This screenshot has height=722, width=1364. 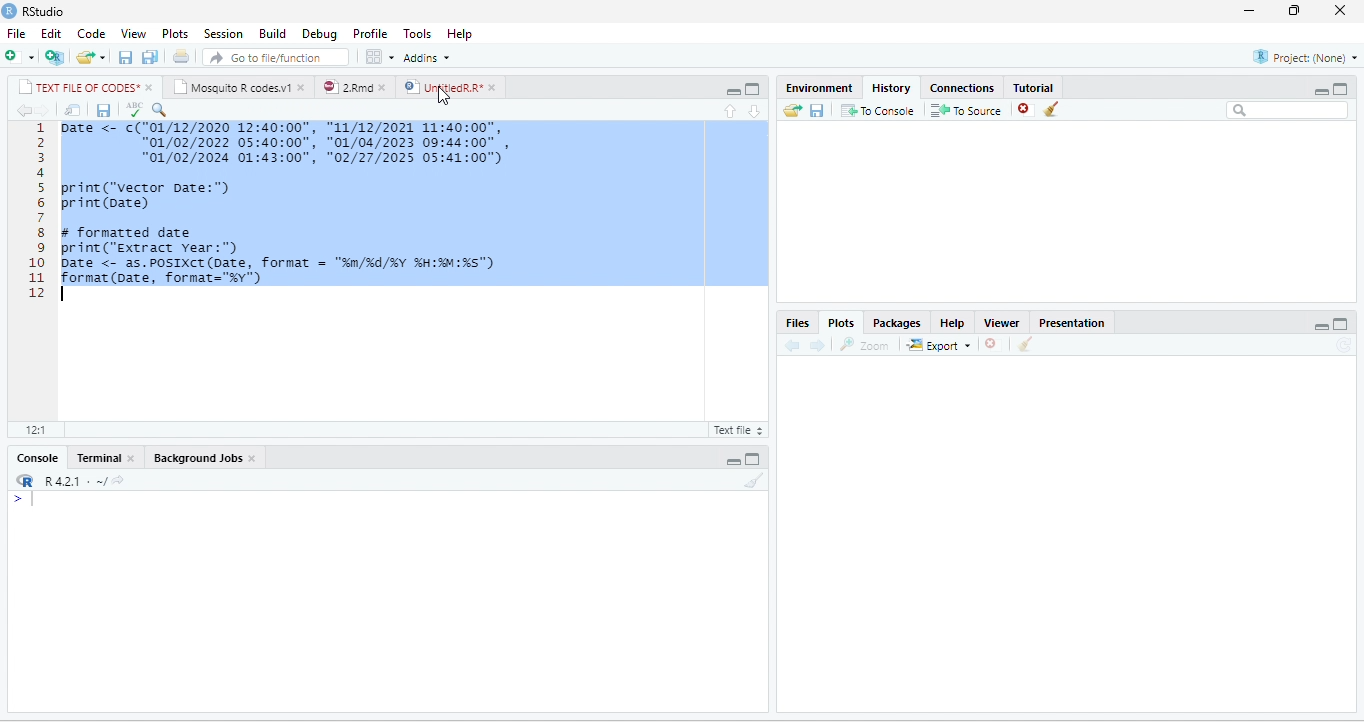 What do you see at coordinates (730, 111) in the screenshot?
I see `up` at bounding box center [730, 111].